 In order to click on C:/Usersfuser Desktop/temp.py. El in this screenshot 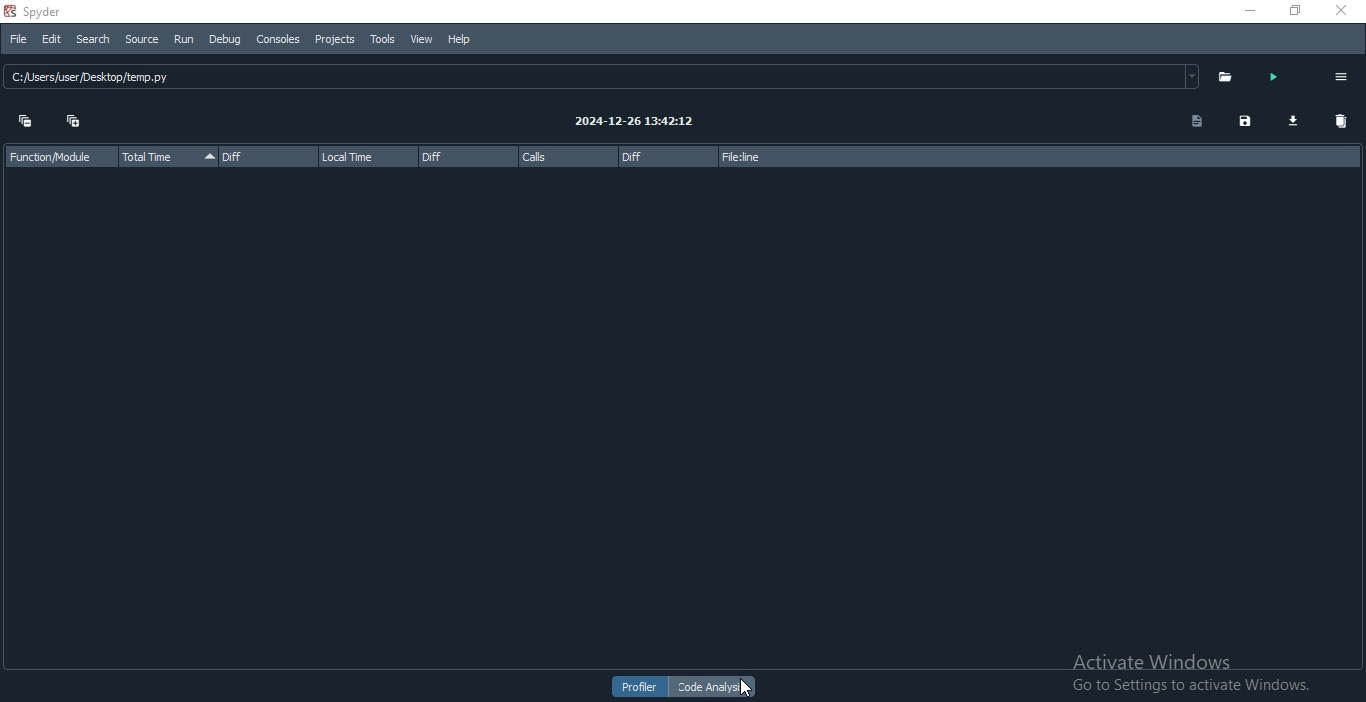, I will do `click(605, 79)`.